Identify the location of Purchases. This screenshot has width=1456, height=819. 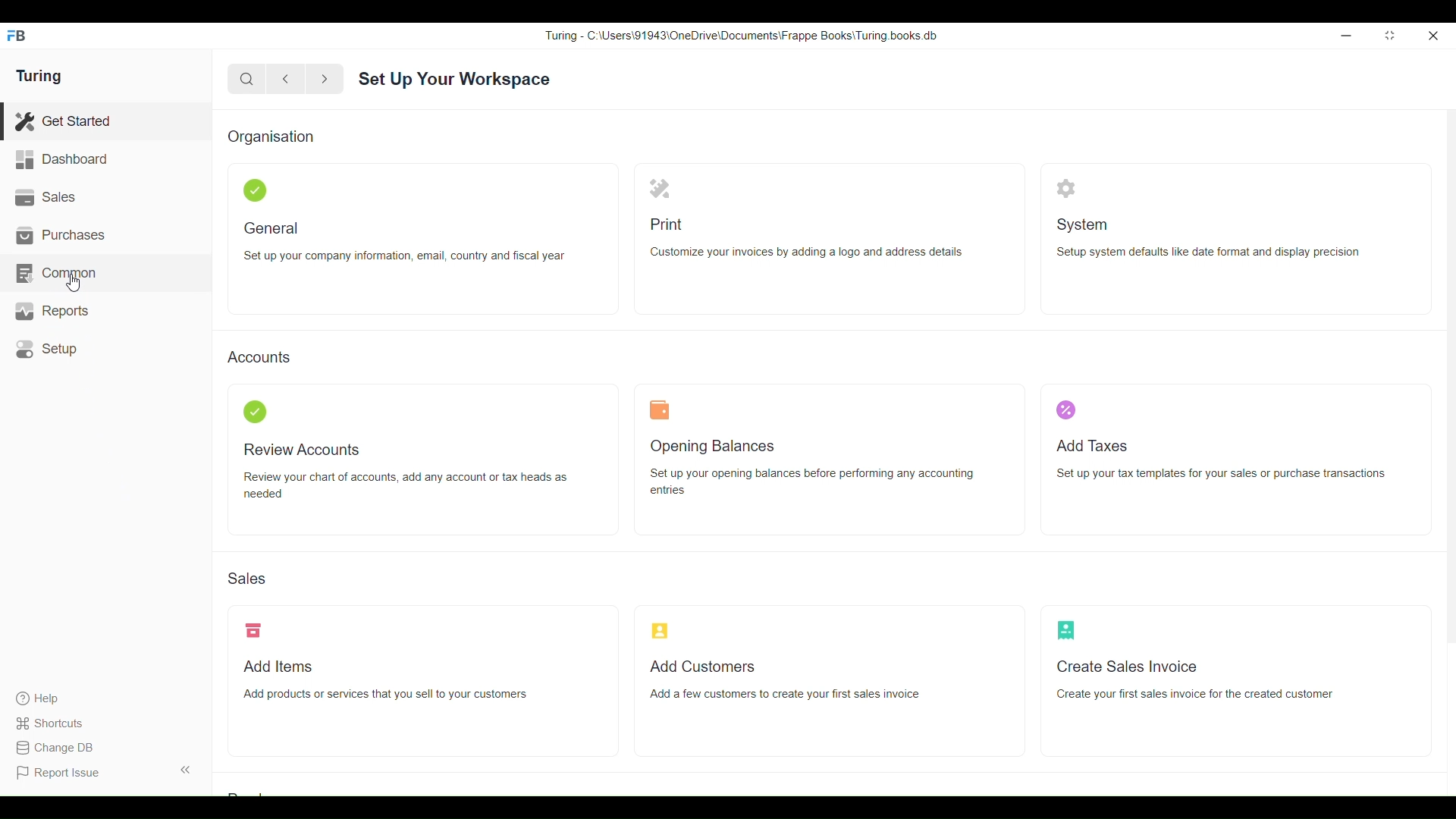
(105, 235).